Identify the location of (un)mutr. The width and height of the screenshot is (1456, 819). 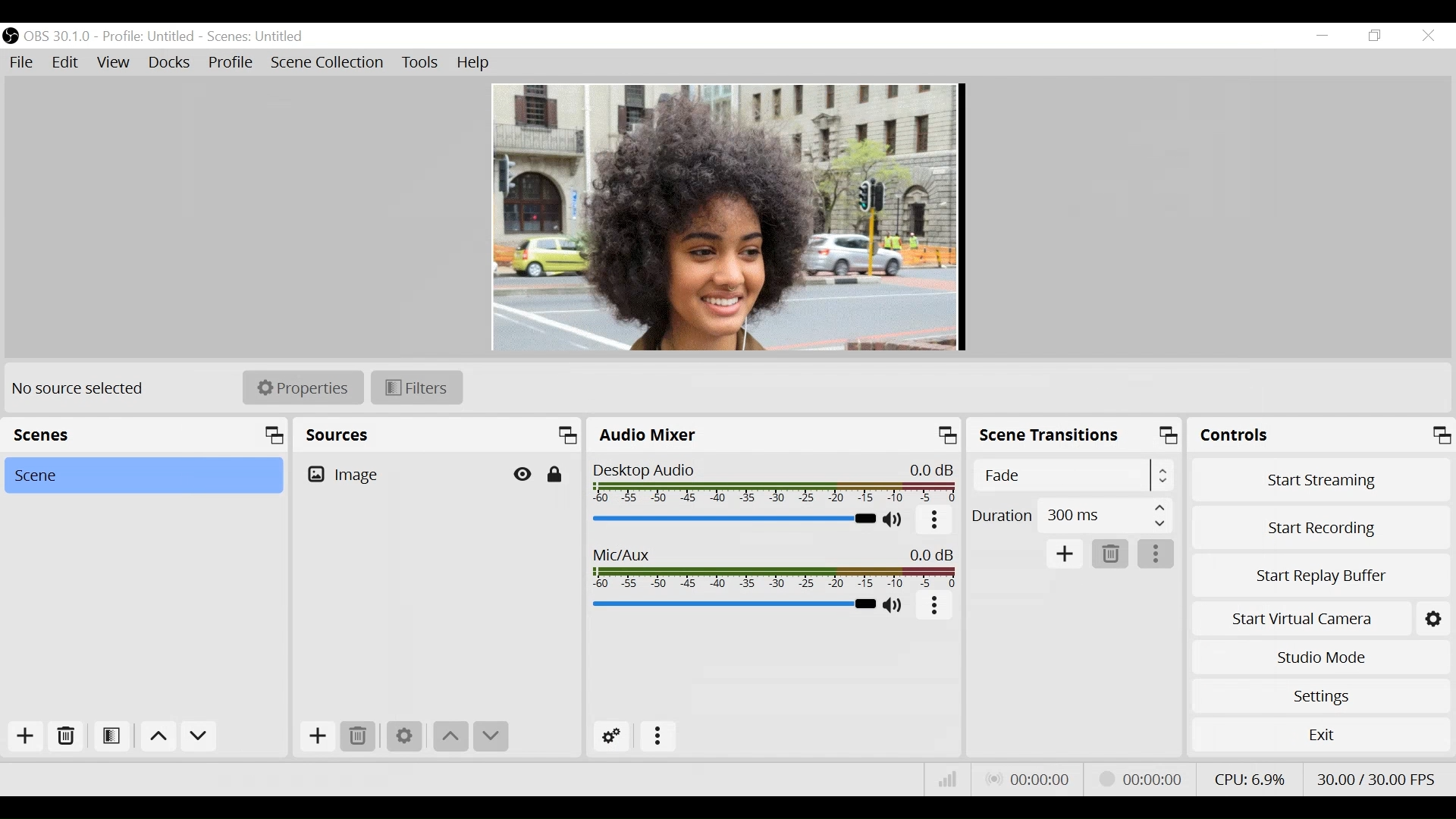
(893, 607).